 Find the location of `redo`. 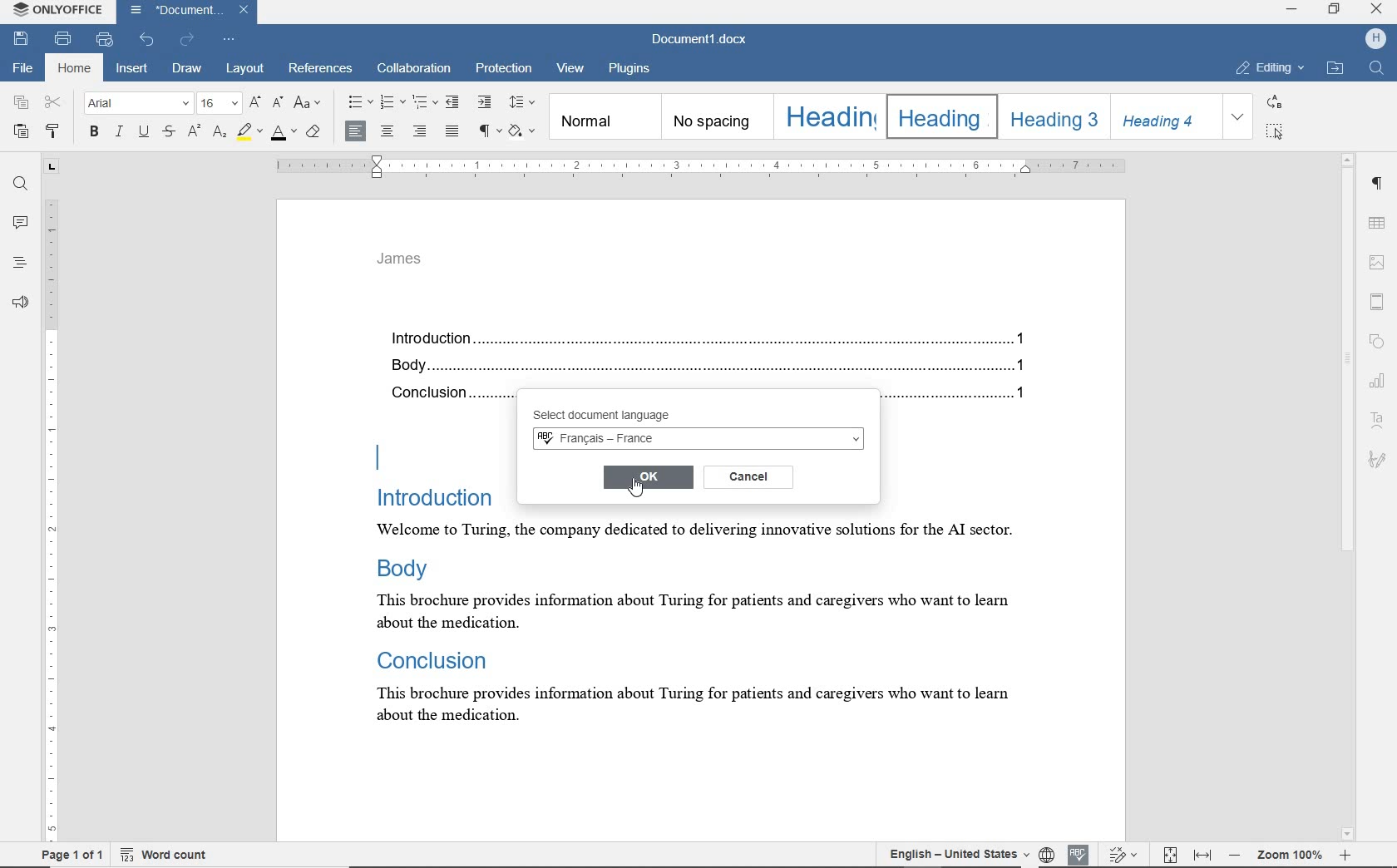

redo is located at coordinates (187, 40).